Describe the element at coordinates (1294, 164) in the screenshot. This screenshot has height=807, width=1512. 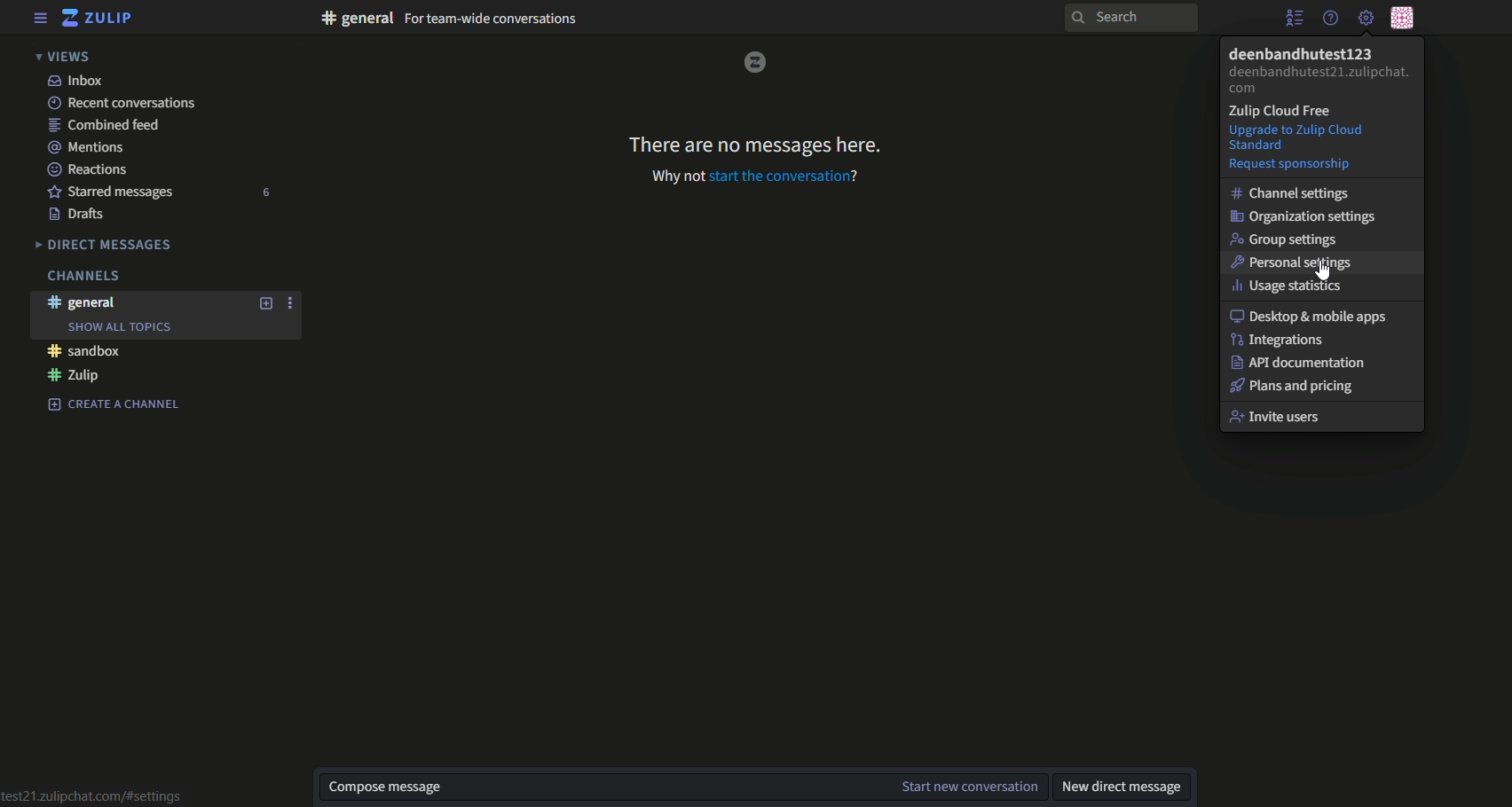
I see `Request sponsorship` at that location.